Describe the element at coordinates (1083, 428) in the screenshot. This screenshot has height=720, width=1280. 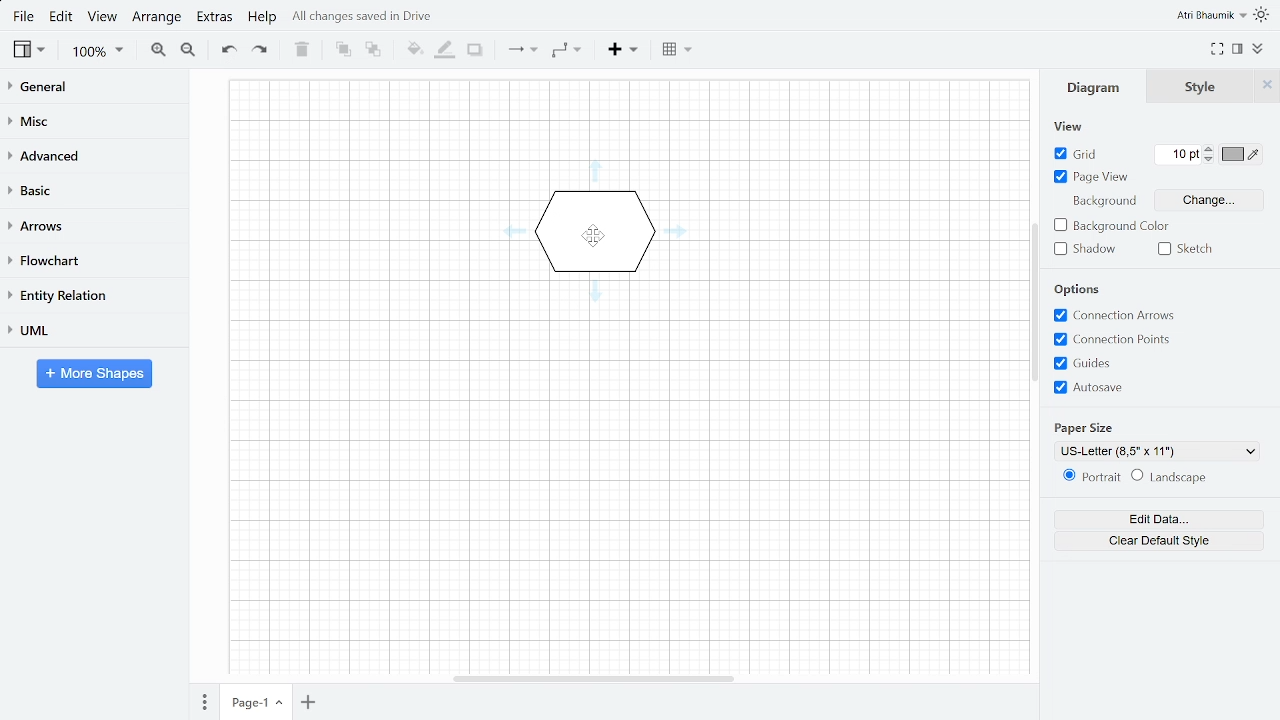
I see `Paper size` at that location.